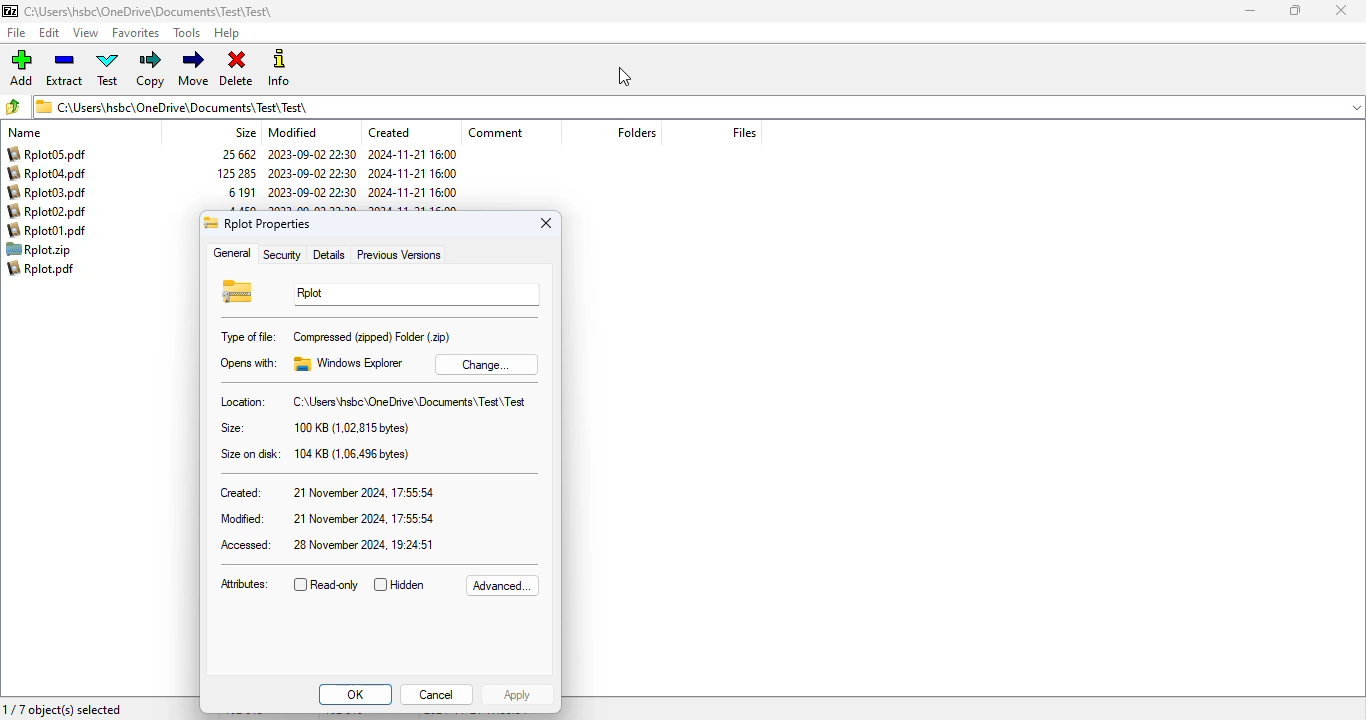 The width and height of the screenshot is (1366, 720). What do you see at coordinates (400, 256) in the screenshot?
I see `previous versions` at bounding box center [400, 256].